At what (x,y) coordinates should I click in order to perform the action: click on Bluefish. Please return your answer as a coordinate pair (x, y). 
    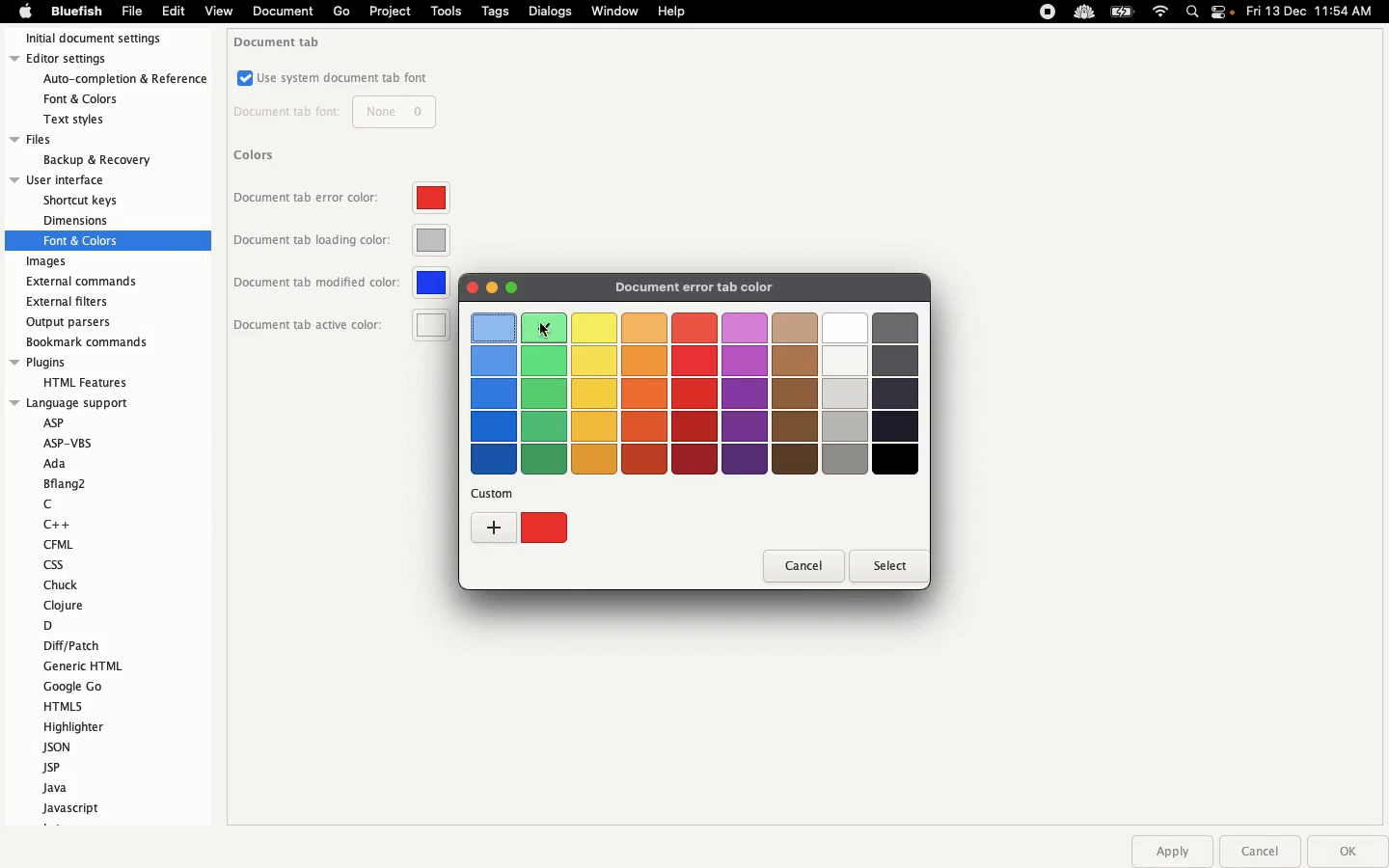
    Looking at the image, I should click on (73, 12).